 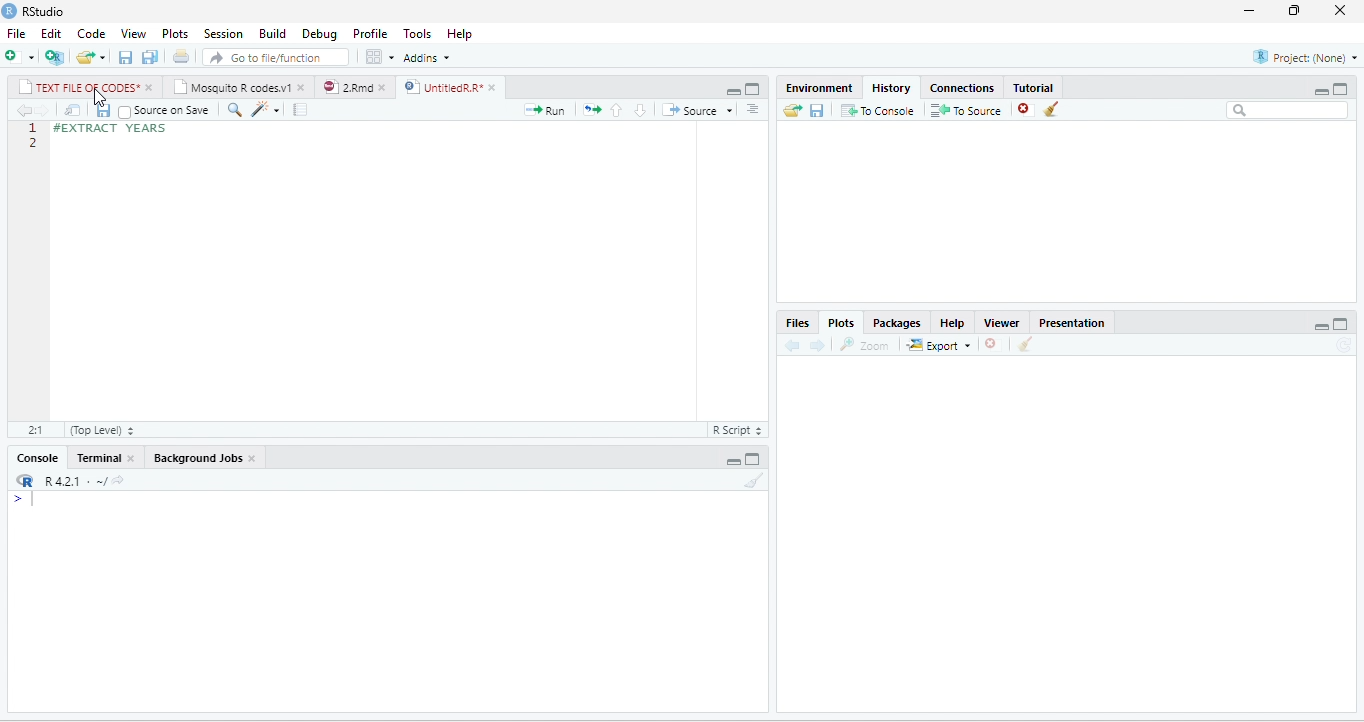 I want to click on File, so click(x=16, y=34).